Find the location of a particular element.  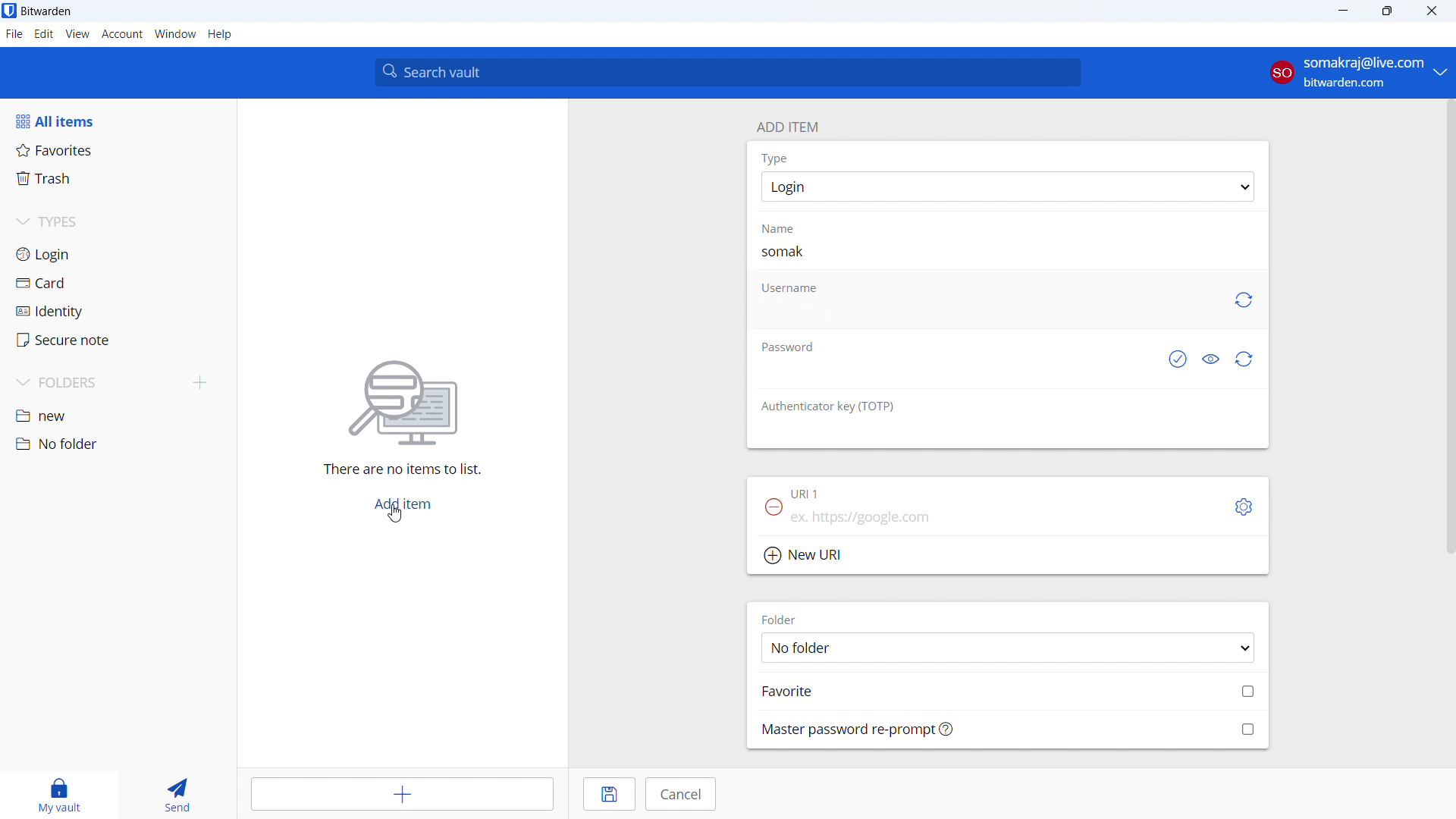

toggle visibility is located at coordinates (1210, 360).